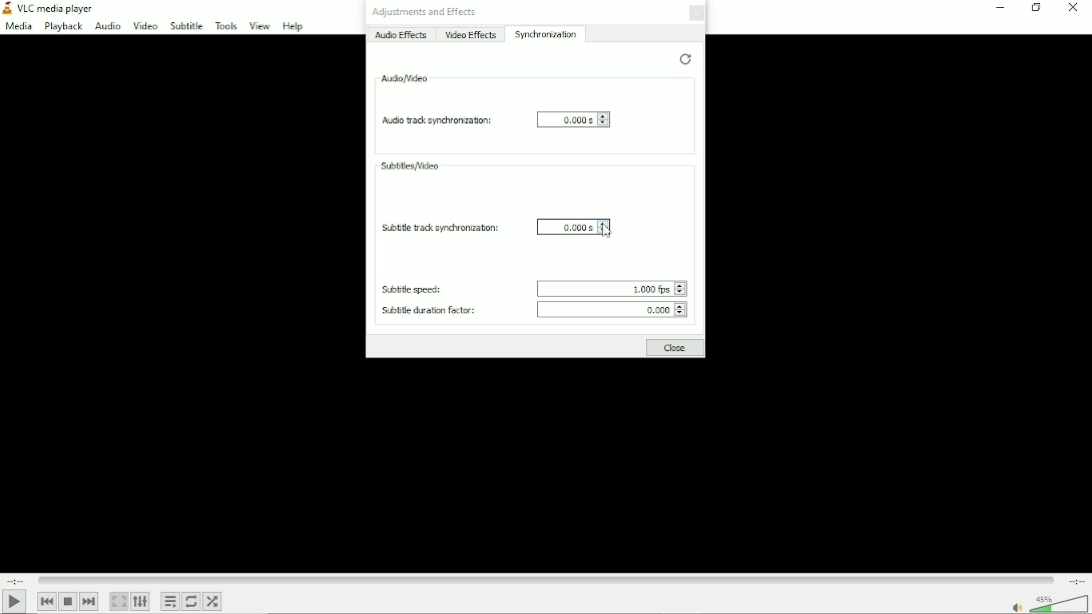  What do you see at coordinates (402, 36) in the screenshot?
I see `Audio effects` at bounding box center [402, 36].